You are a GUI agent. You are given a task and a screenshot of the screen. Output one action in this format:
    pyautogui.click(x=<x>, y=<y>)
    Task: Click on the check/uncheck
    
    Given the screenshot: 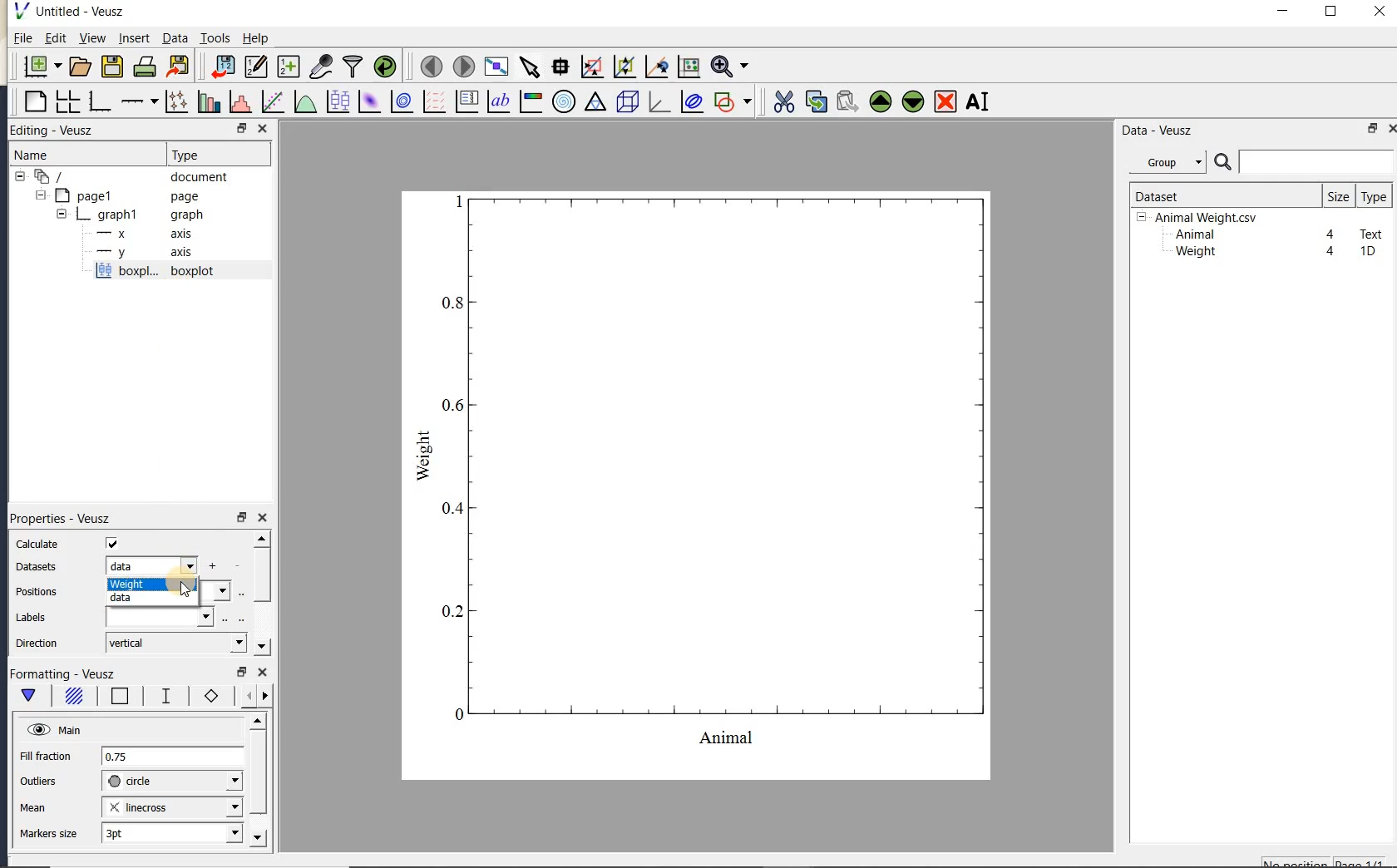 What is the action you would take?
    pyautogui.click(x=112, y=543)
    